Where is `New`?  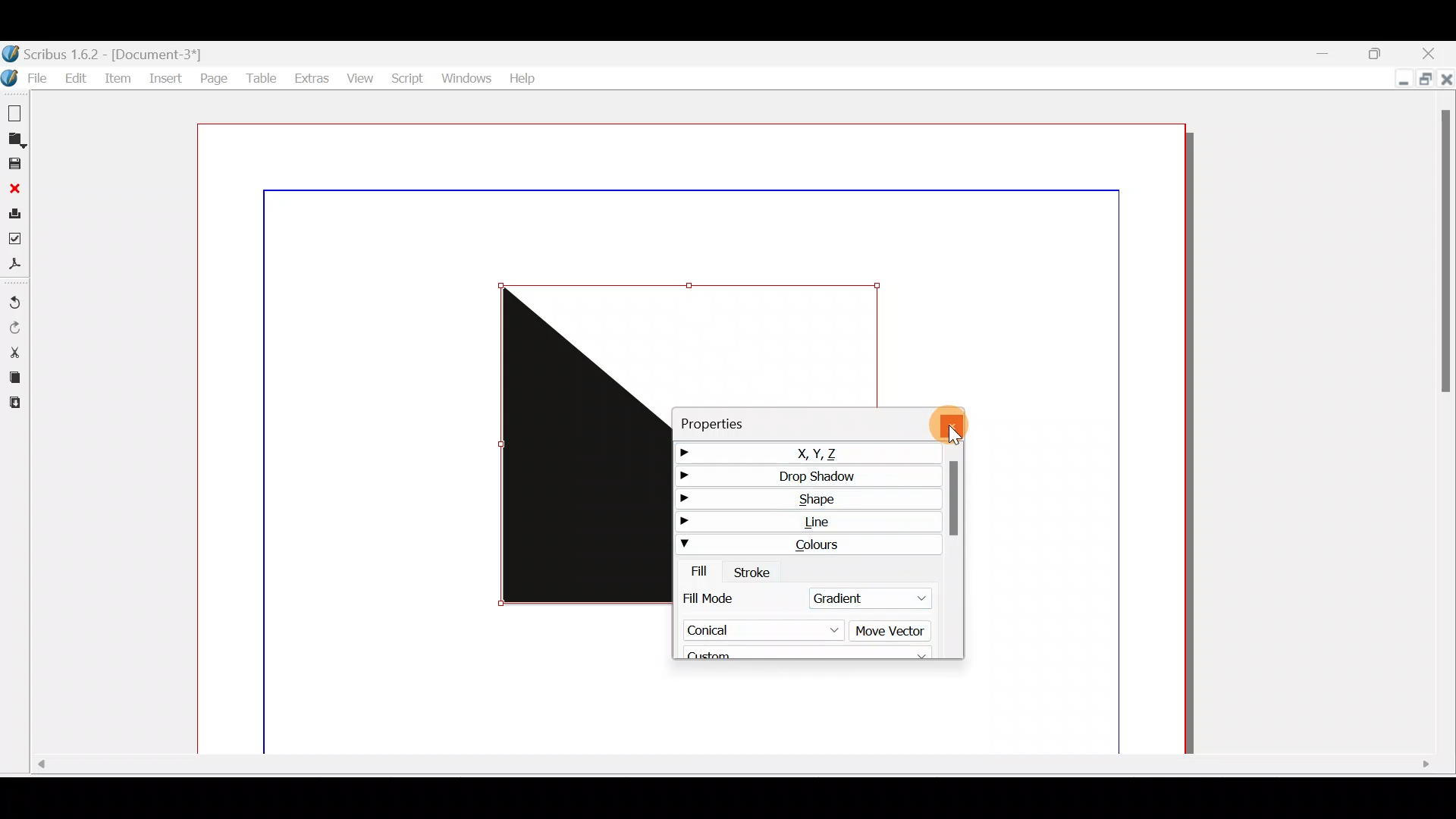 New is located at coordinates (15, 111).